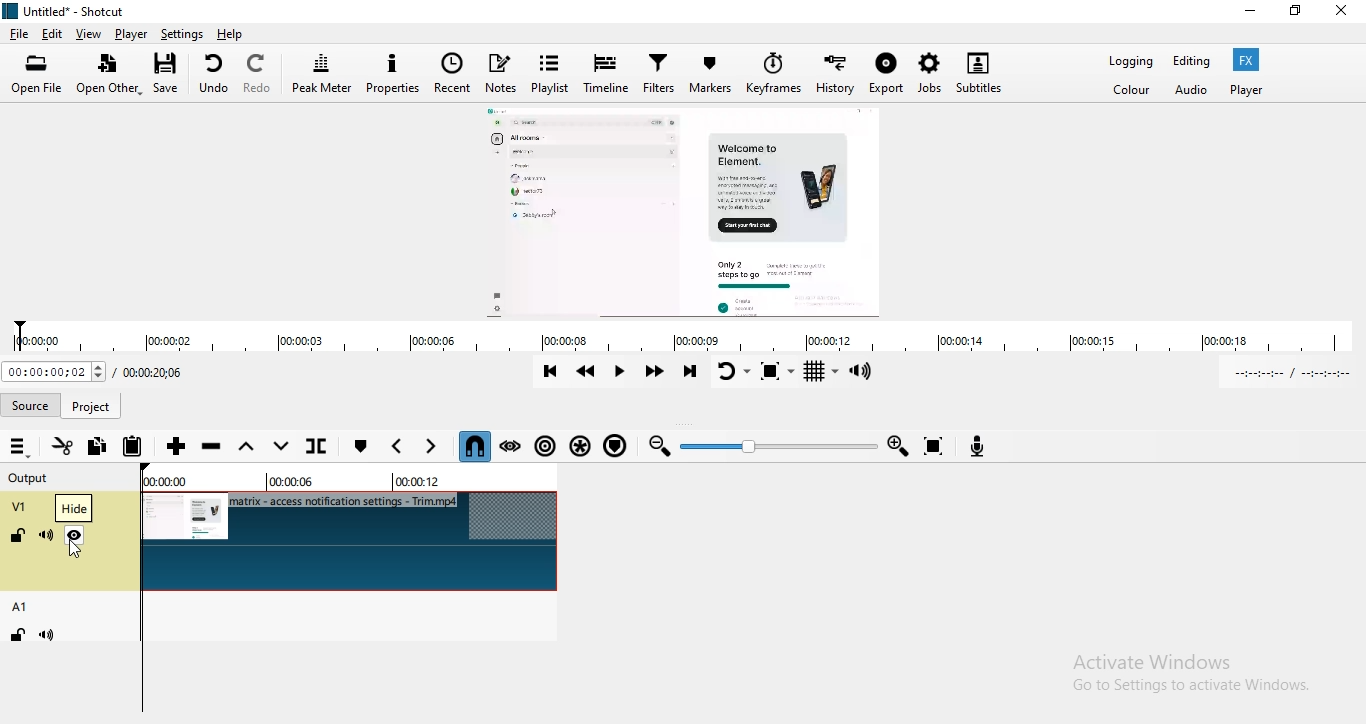  I want to click on Video track, so click(351, 542).